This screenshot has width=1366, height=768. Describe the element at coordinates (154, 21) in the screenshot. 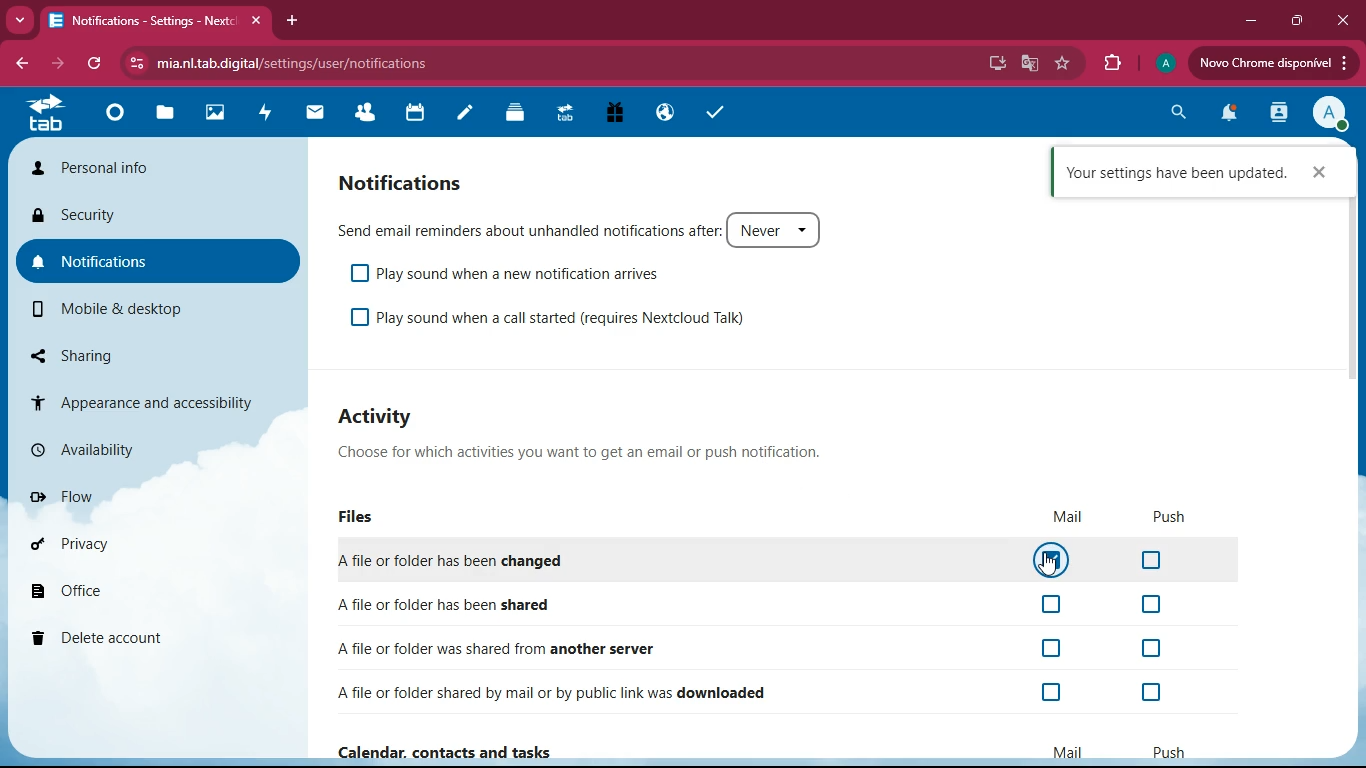

I see `tab` at that location.